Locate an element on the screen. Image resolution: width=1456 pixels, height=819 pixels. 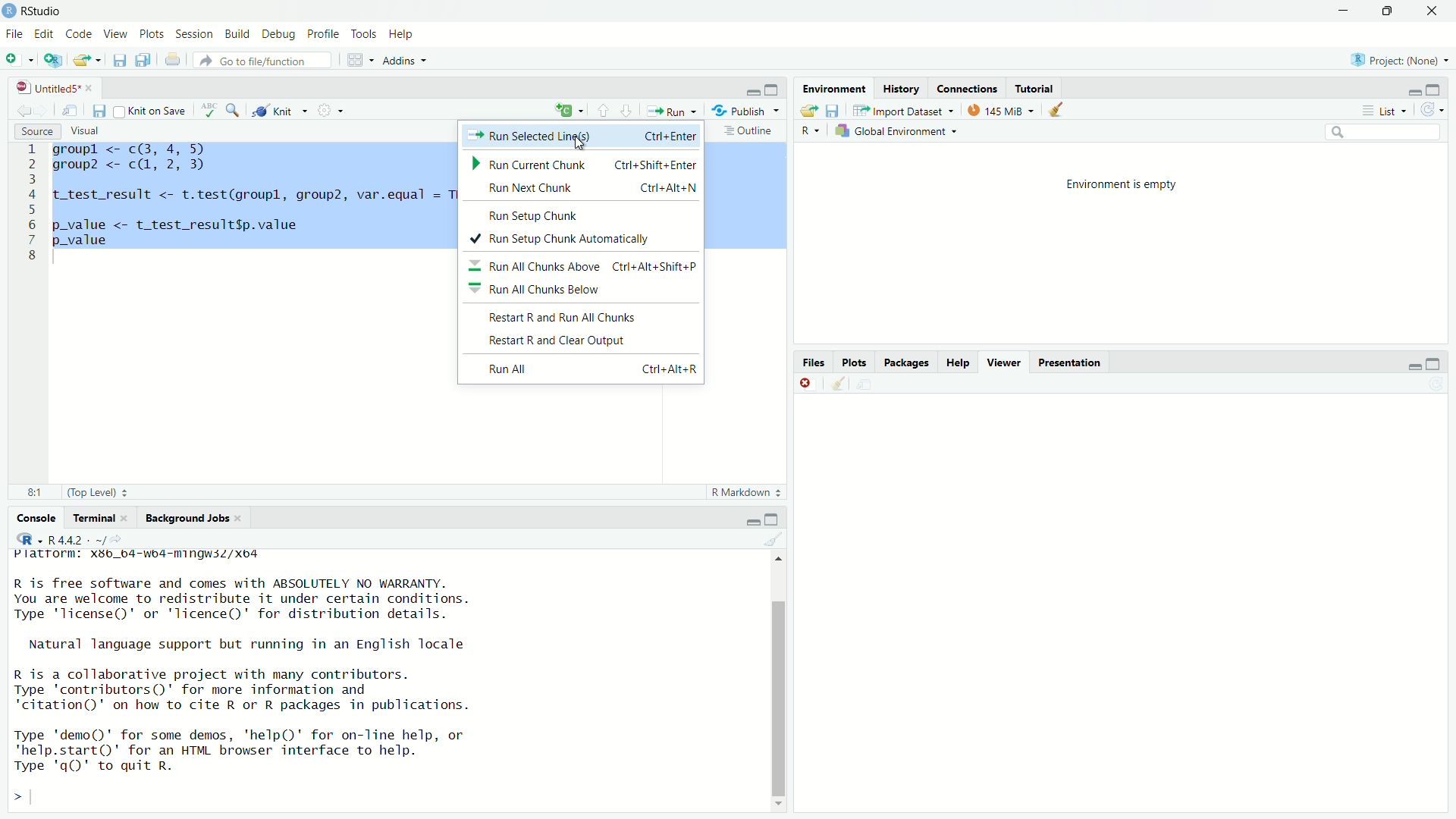
Environment is located at coordinates (831, 87).